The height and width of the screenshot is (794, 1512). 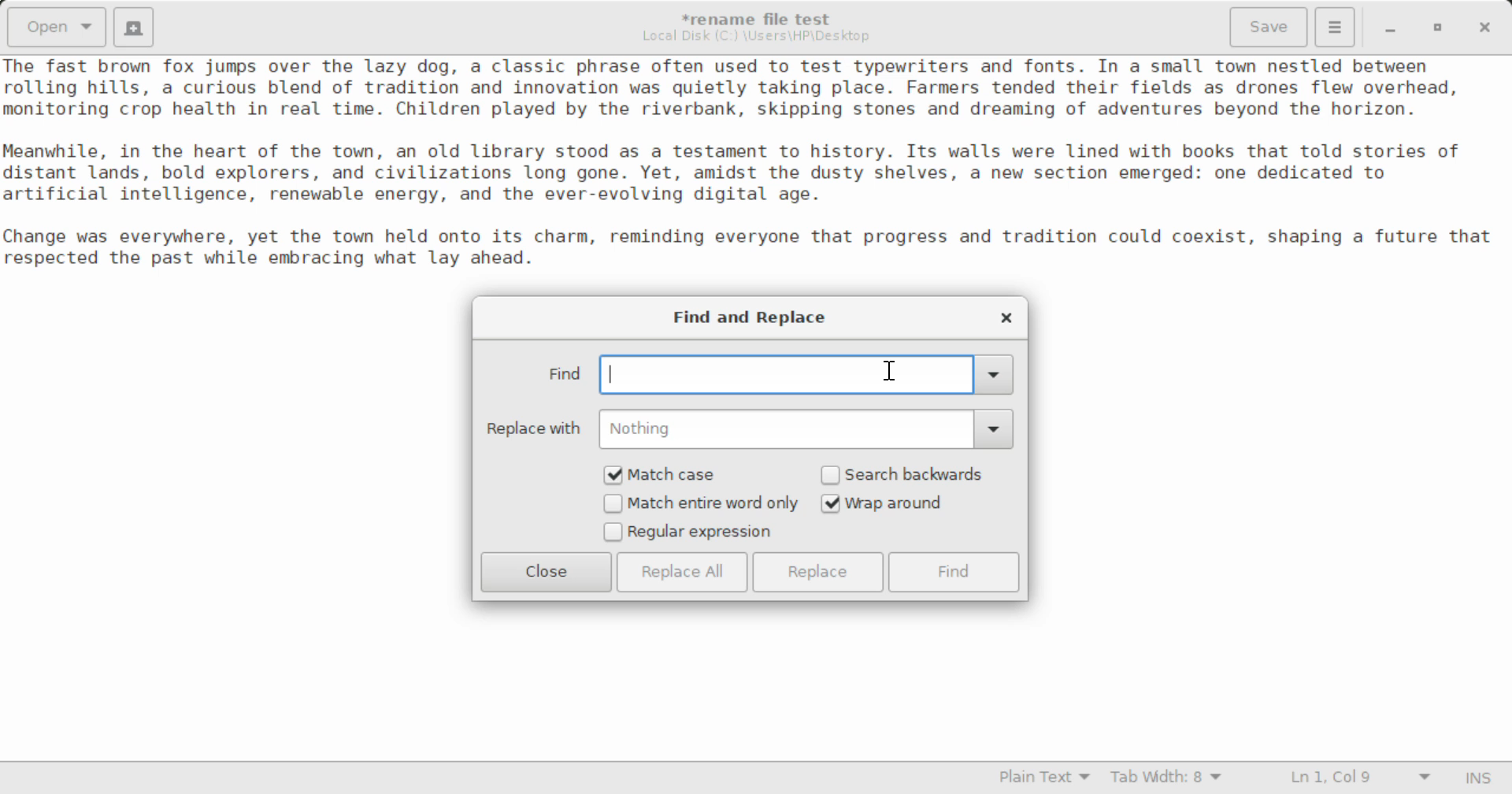 I want to click on Match entire word only, so click(x=700, y=505).